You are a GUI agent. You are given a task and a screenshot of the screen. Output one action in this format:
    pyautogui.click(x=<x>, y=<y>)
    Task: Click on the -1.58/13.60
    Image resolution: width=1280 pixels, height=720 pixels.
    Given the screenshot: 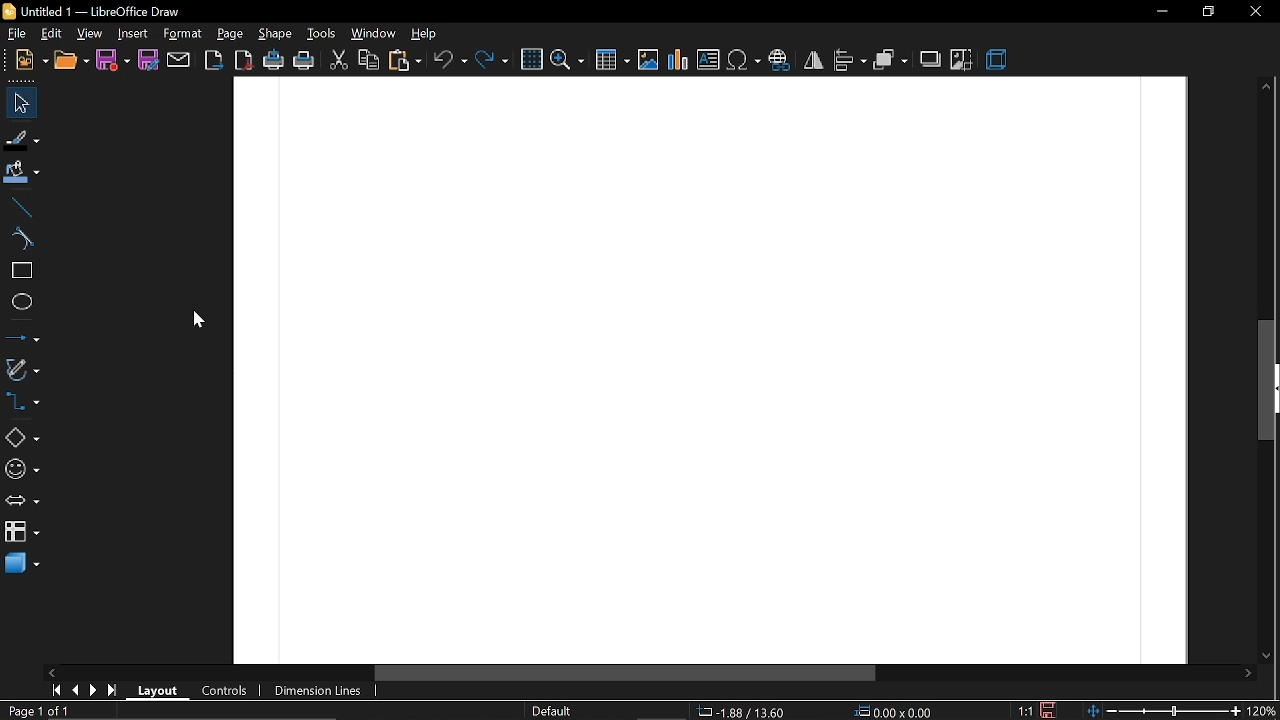 What is the action you would take?
    pyautogui.click(x=746, y=712)
    